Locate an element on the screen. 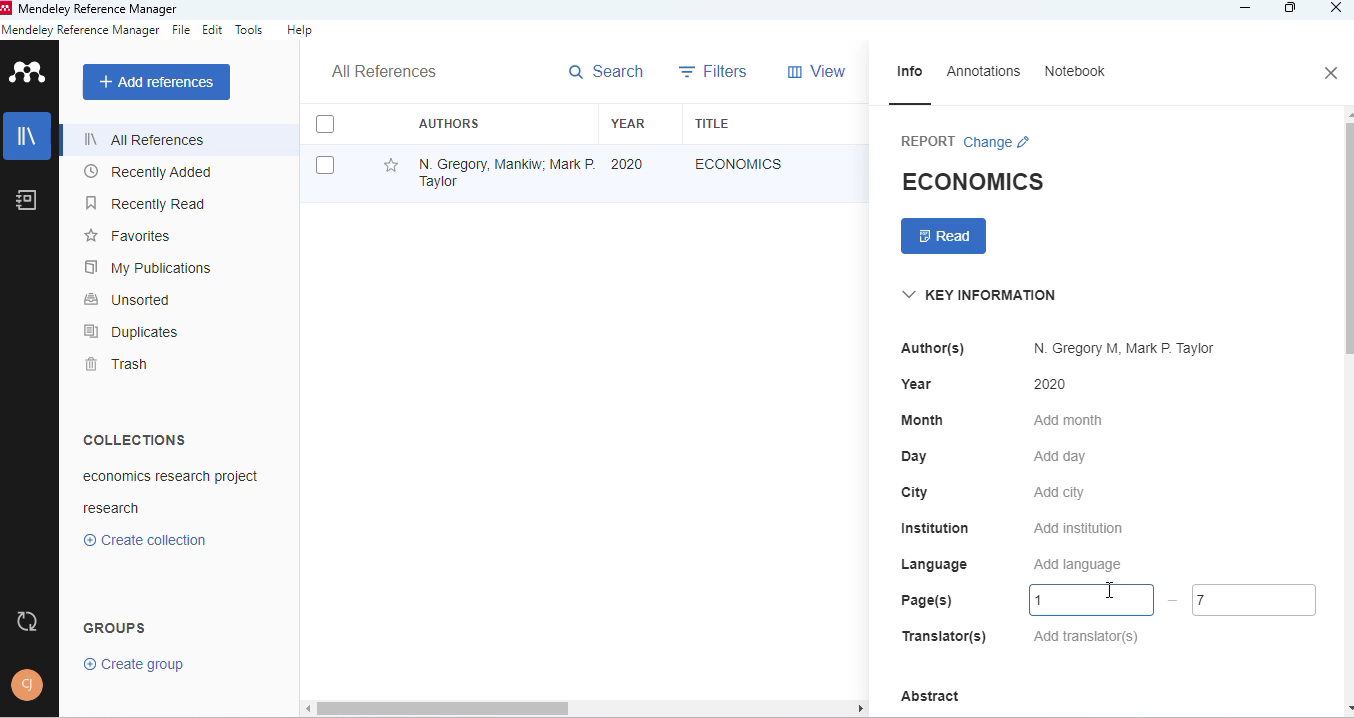 Image resolution: width=1354 pixels, height=718 pixels. abstract is located at coordinates (930, 697).